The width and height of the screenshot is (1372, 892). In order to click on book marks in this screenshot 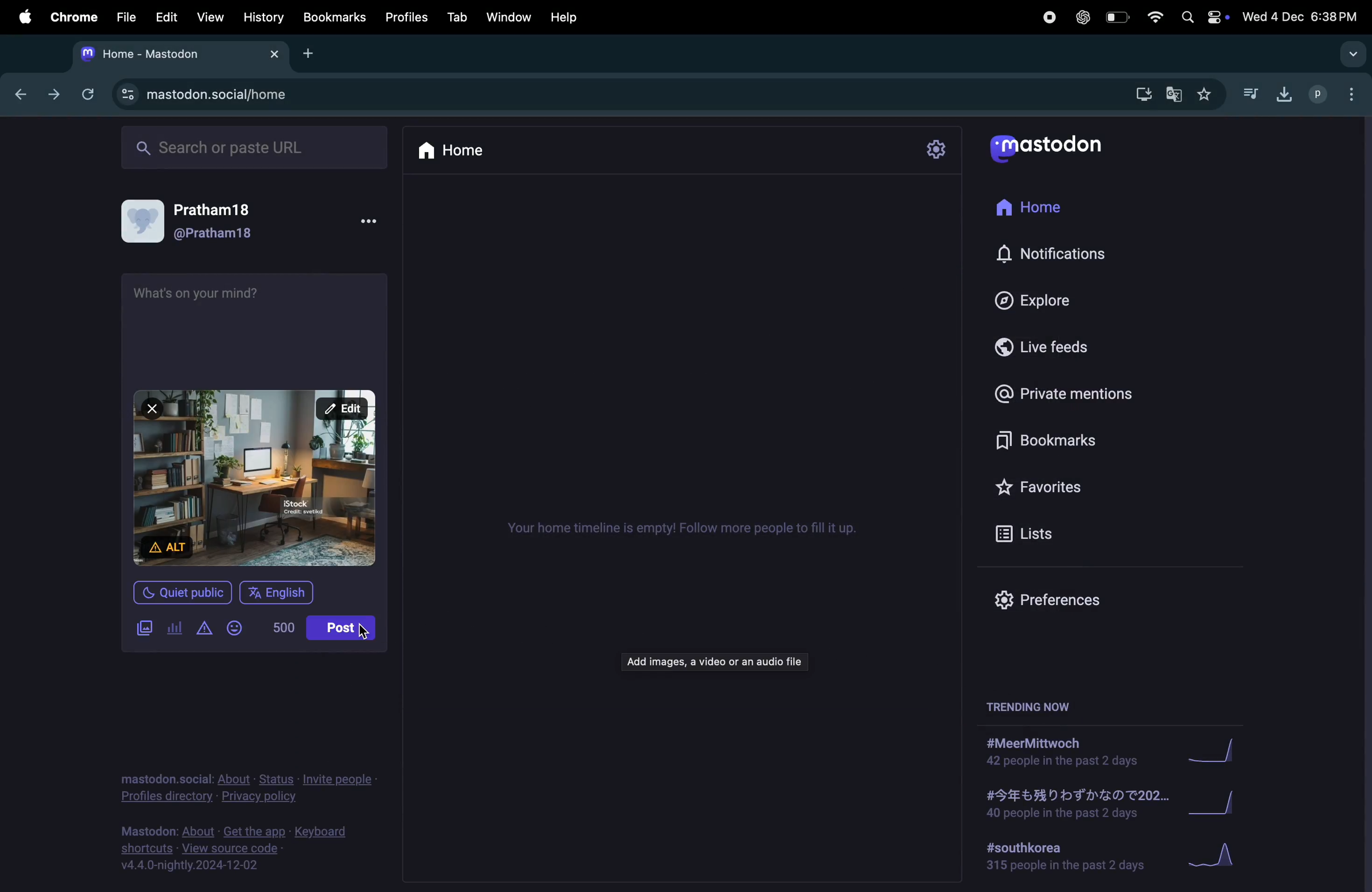, I will do `click(332, 17)`.